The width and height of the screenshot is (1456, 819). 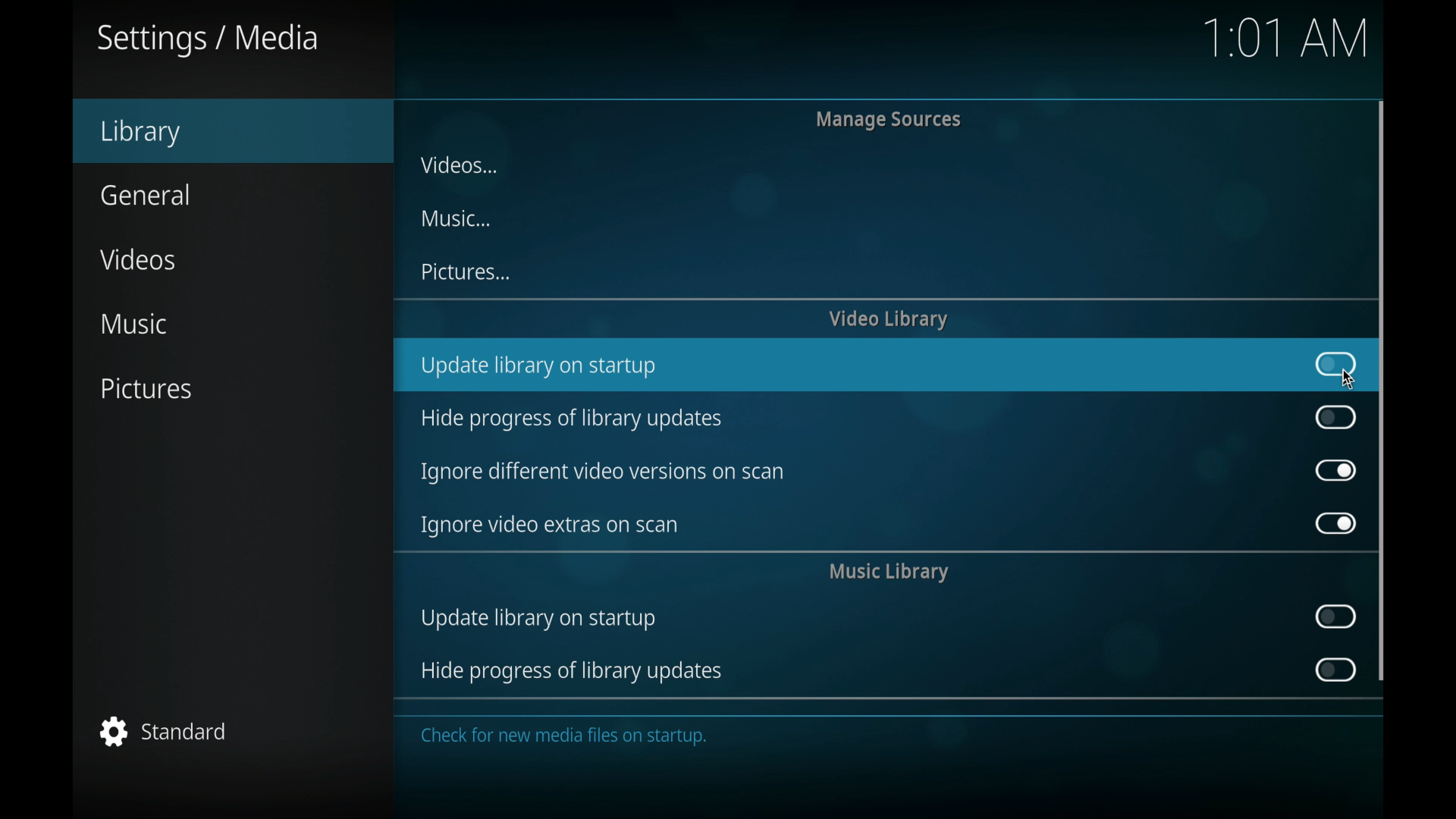 I want to click on toggle button, so click(x=1336, y=617).